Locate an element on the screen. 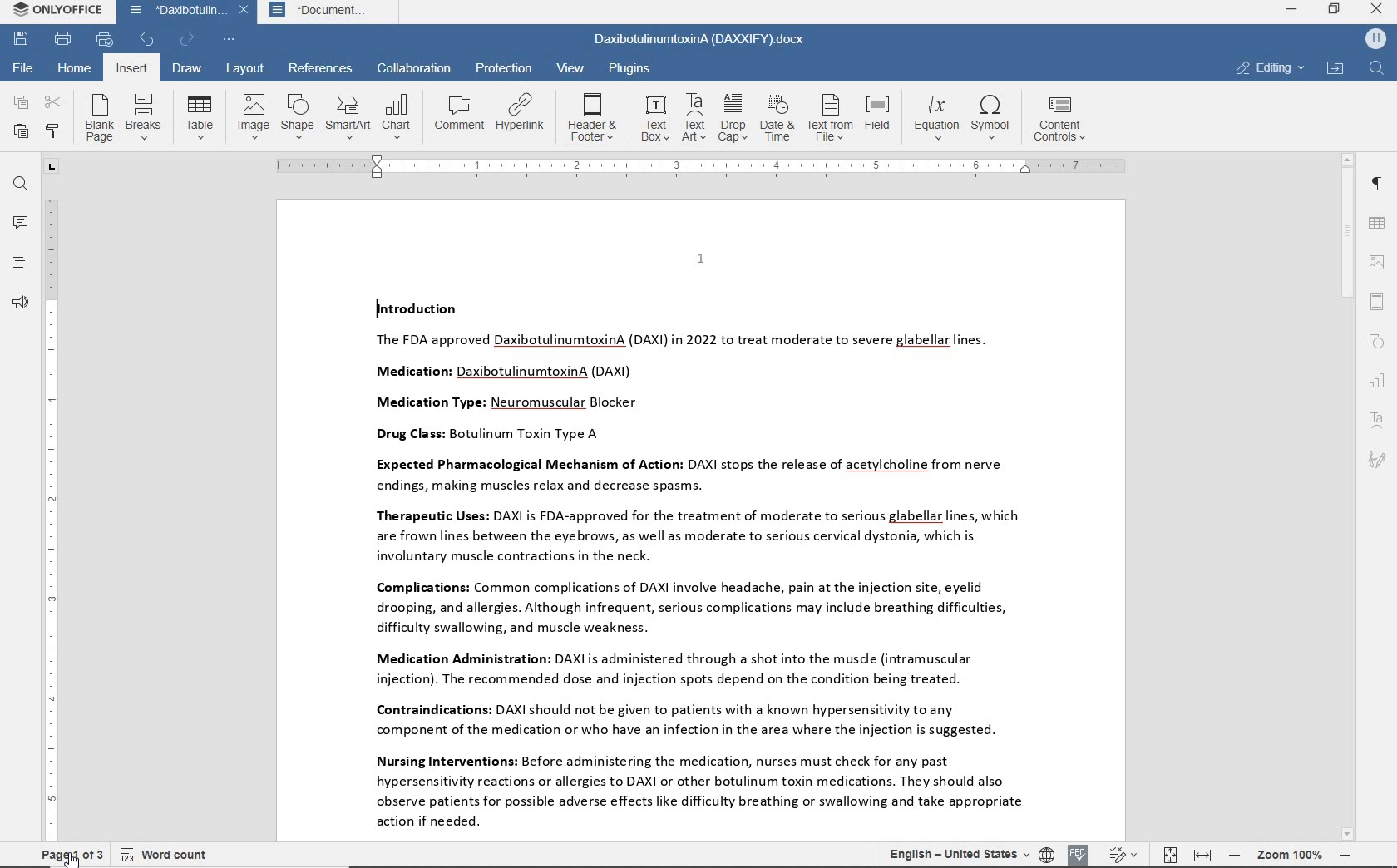  hp is located at coordinates (1375, 40).